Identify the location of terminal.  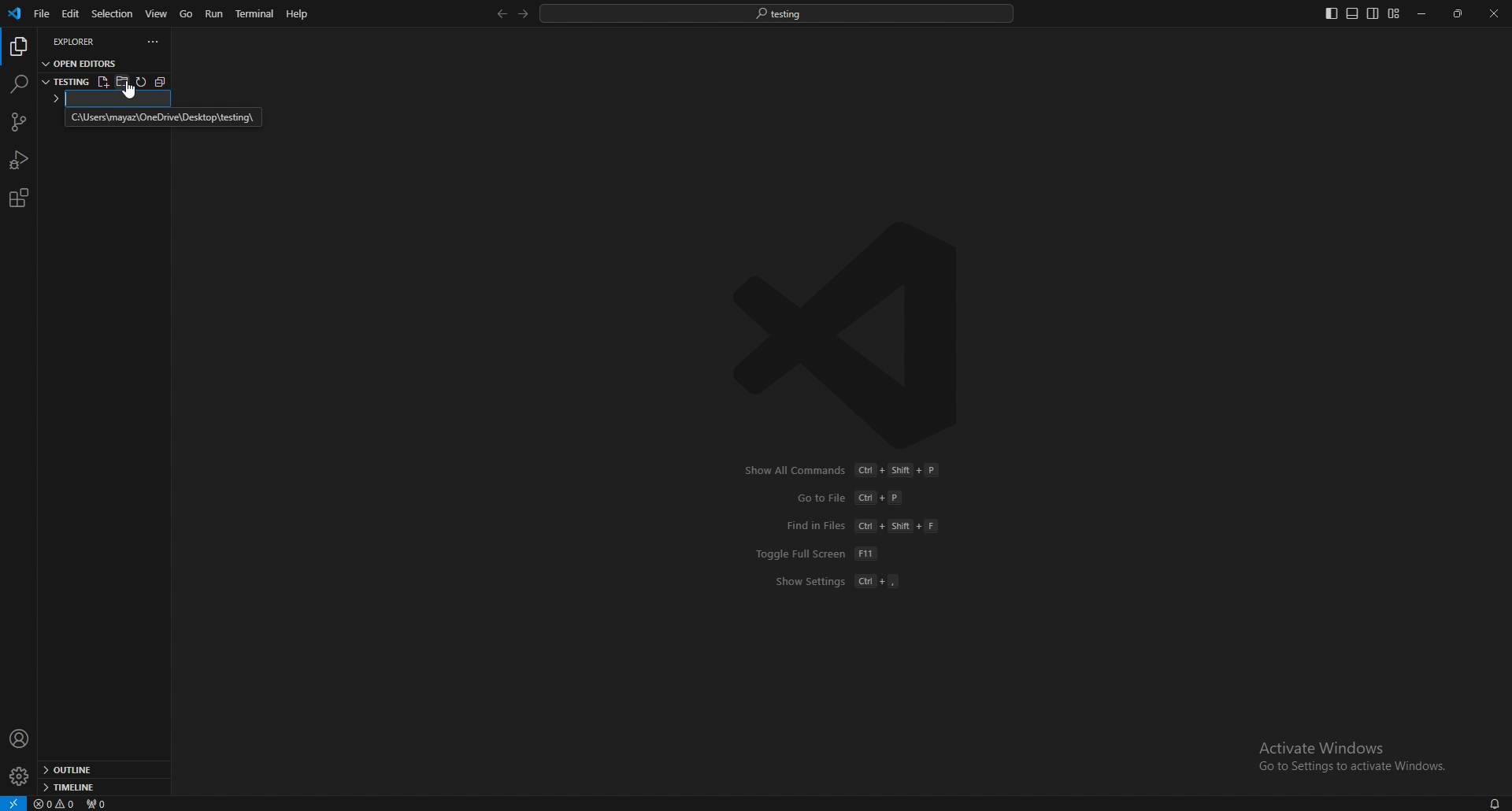
(258, 14).